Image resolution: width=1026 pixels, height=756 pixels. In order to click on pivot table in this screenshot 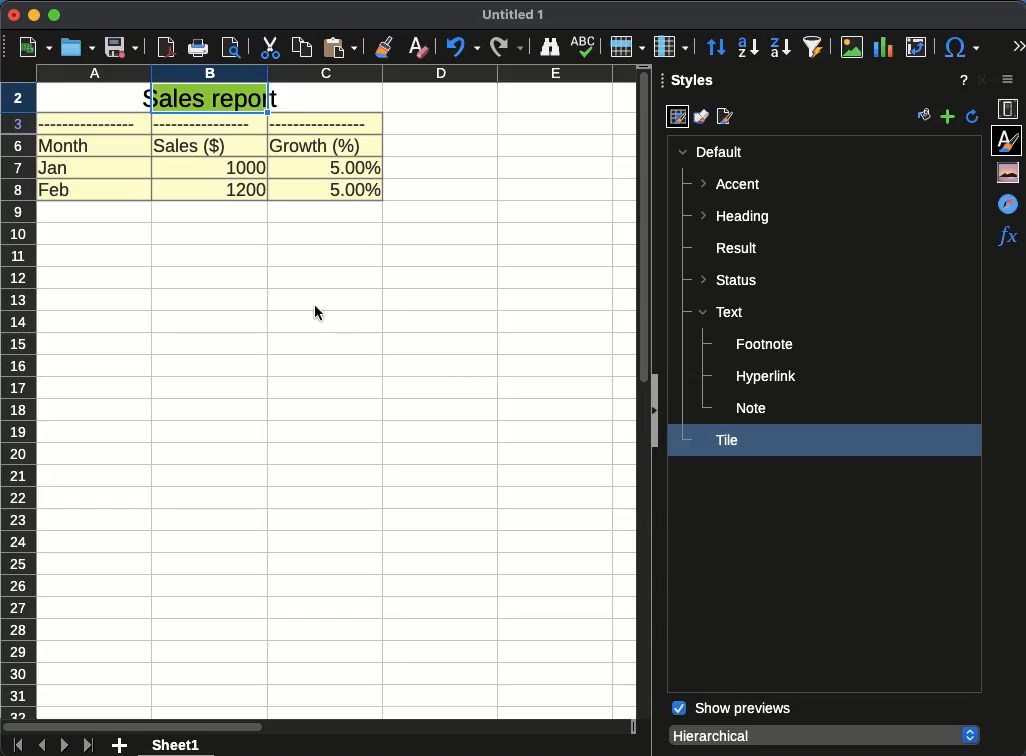, I will do `click(914, 48)`.